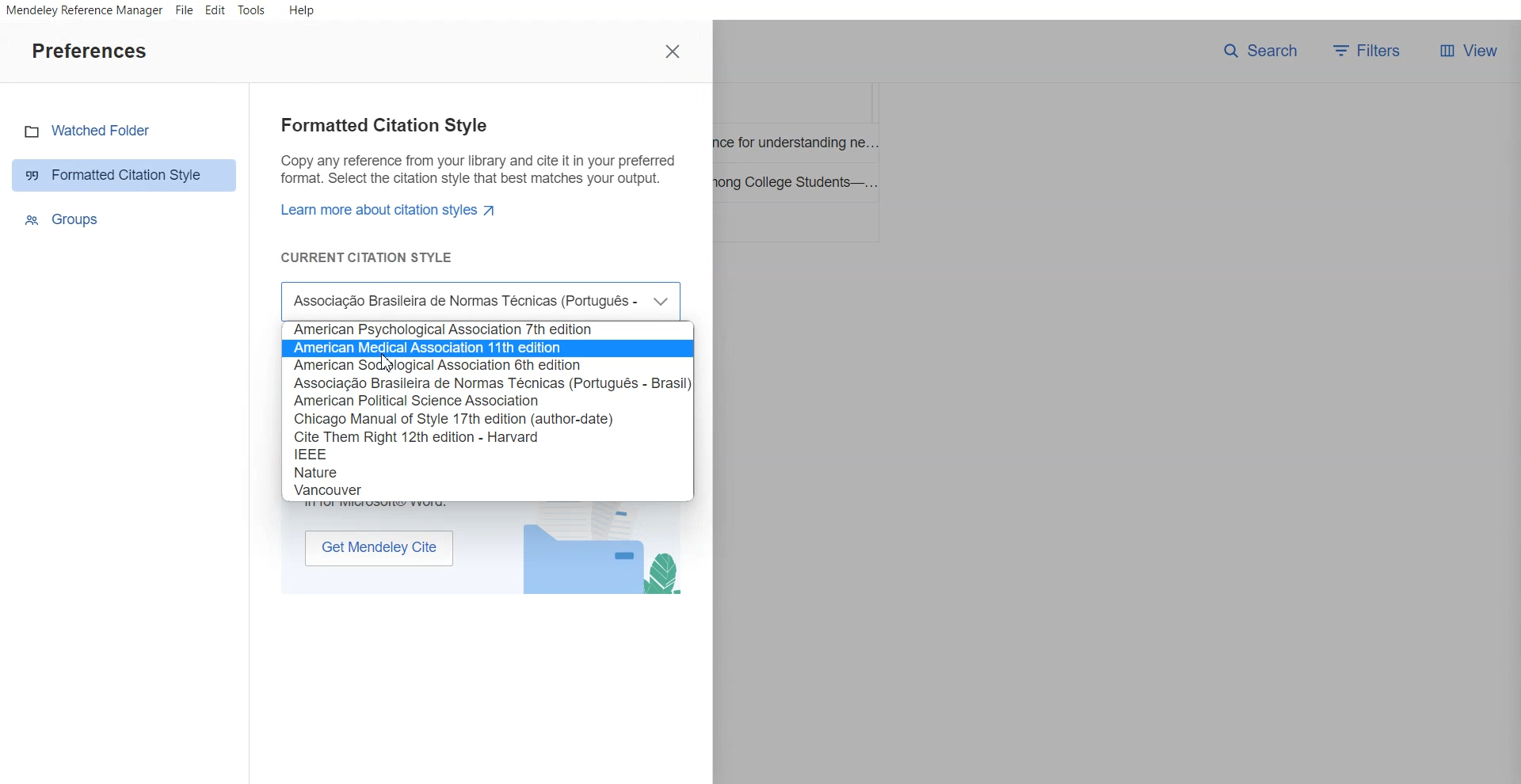 The height and width of the screenshot is (784, 1521). What do you see at coordinates (482, 300) in the screenshot?
I see `Associacao Brasileria de Normas` at bounding box center [482, 300].